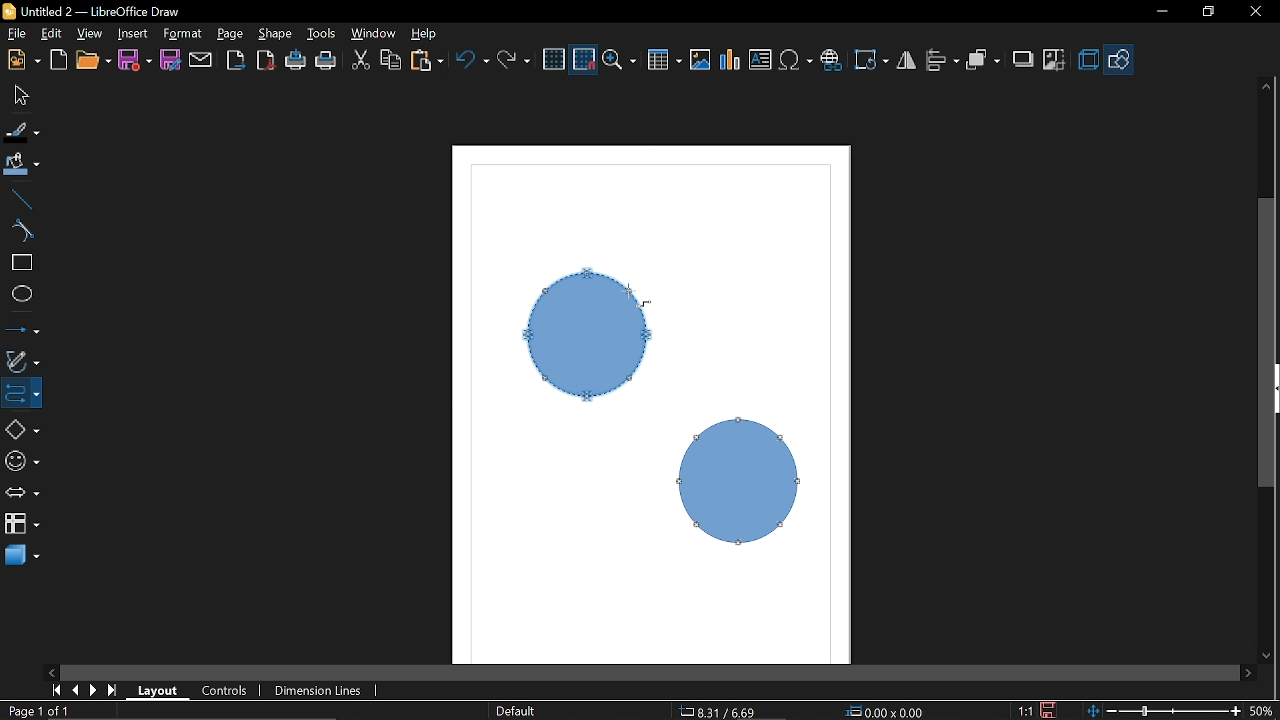 This screenshot has height=720, width=1280. Describe the element at coordinates (942, 62) in the screenshot. I see `Allign` at that location.